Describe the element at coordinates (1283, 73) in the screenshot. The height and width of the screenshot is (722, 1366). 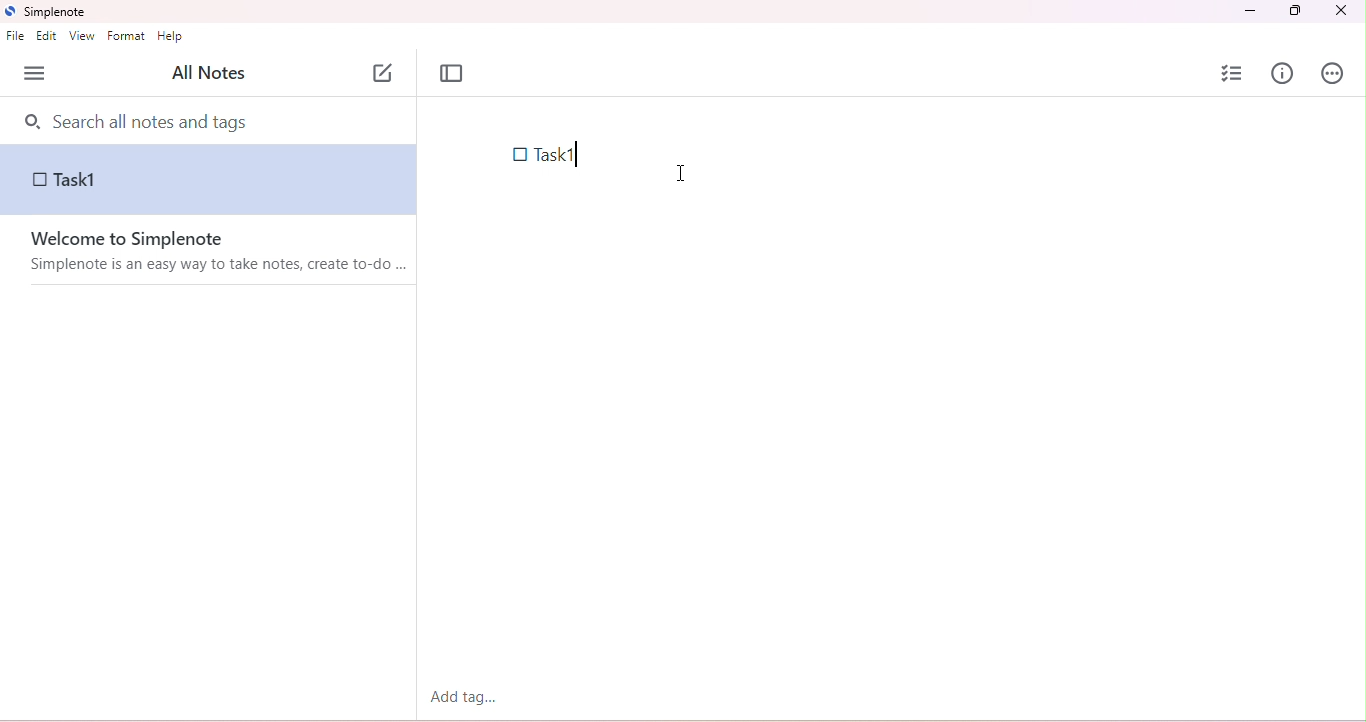
I see `info` at that location.